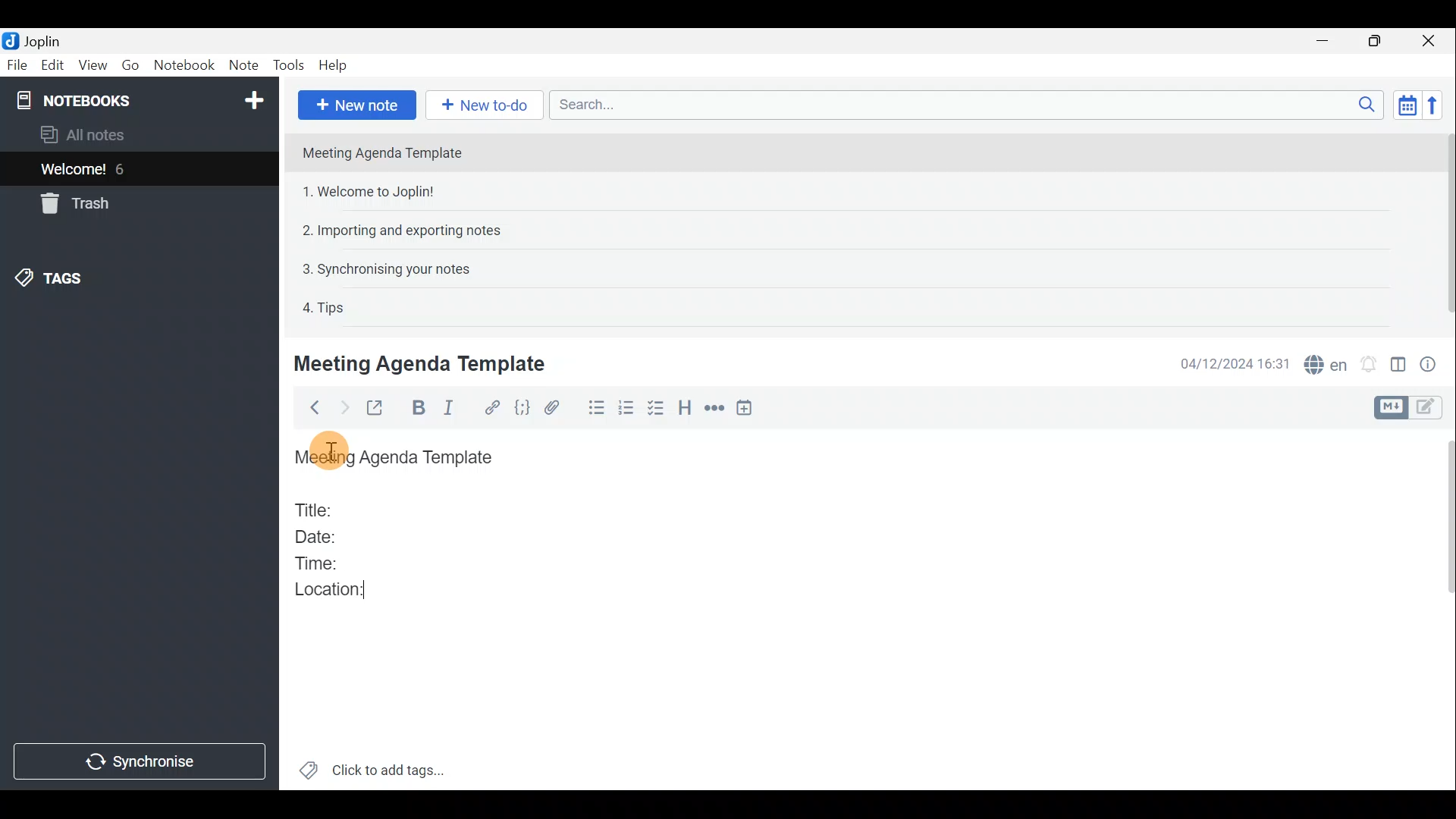  I want to click on Back, so click(310, 410).